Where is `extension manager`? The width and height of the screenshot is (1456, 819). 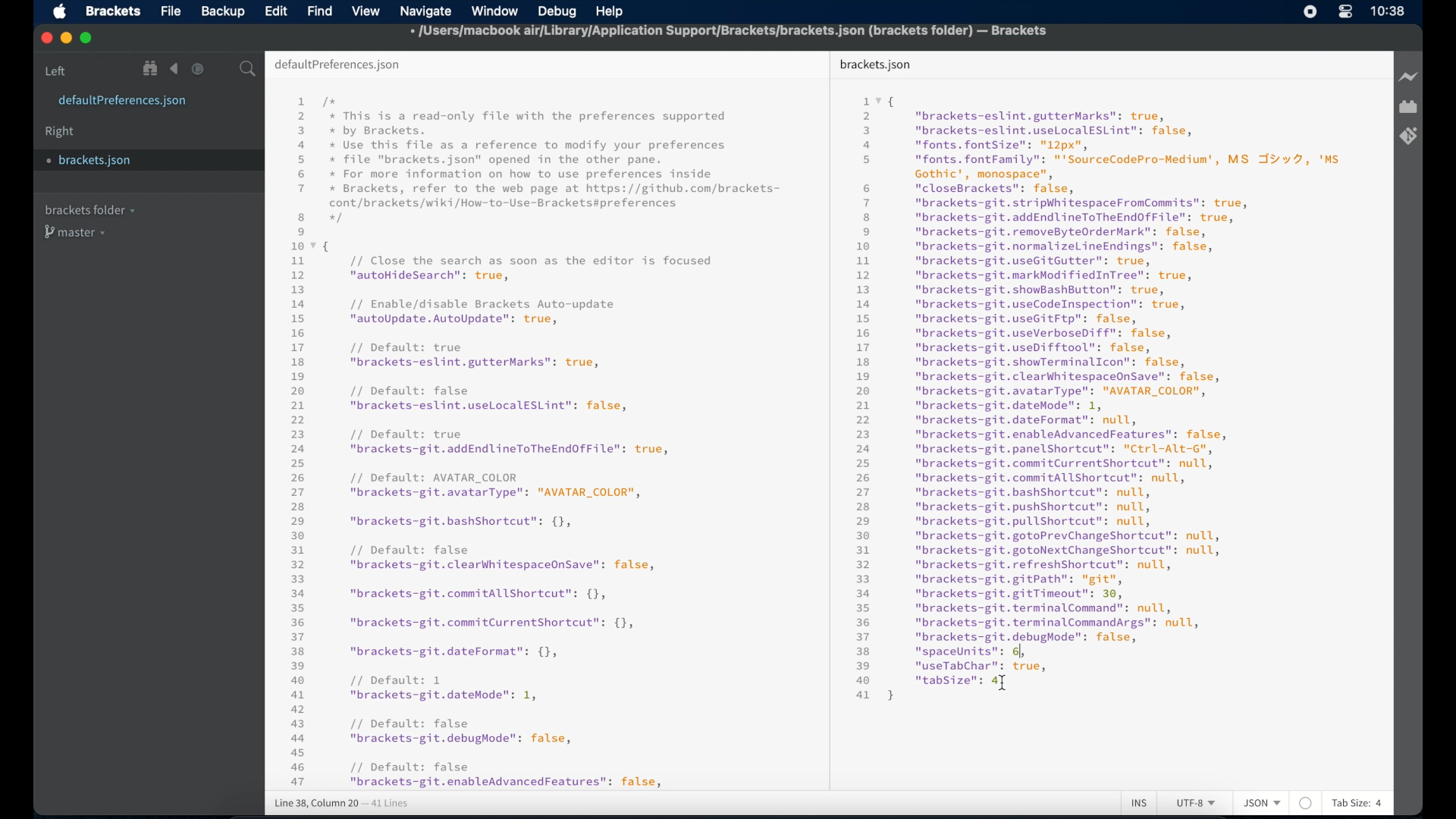
extension manager is located at coordinates (1408, 107).